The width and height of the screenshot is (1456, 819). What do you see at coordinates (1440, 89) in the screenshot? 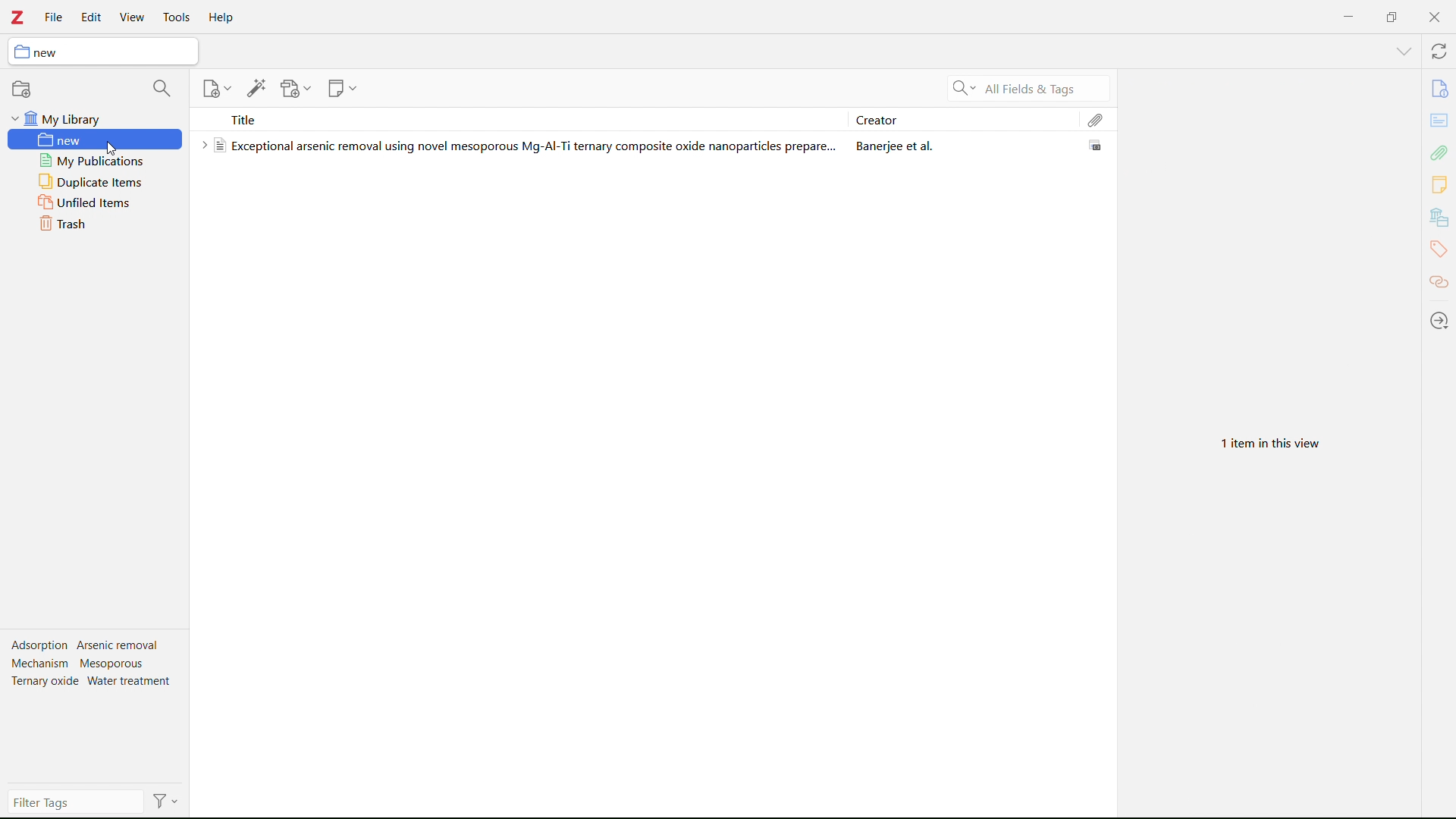
I see `info` at bounding box center [1440, 89].